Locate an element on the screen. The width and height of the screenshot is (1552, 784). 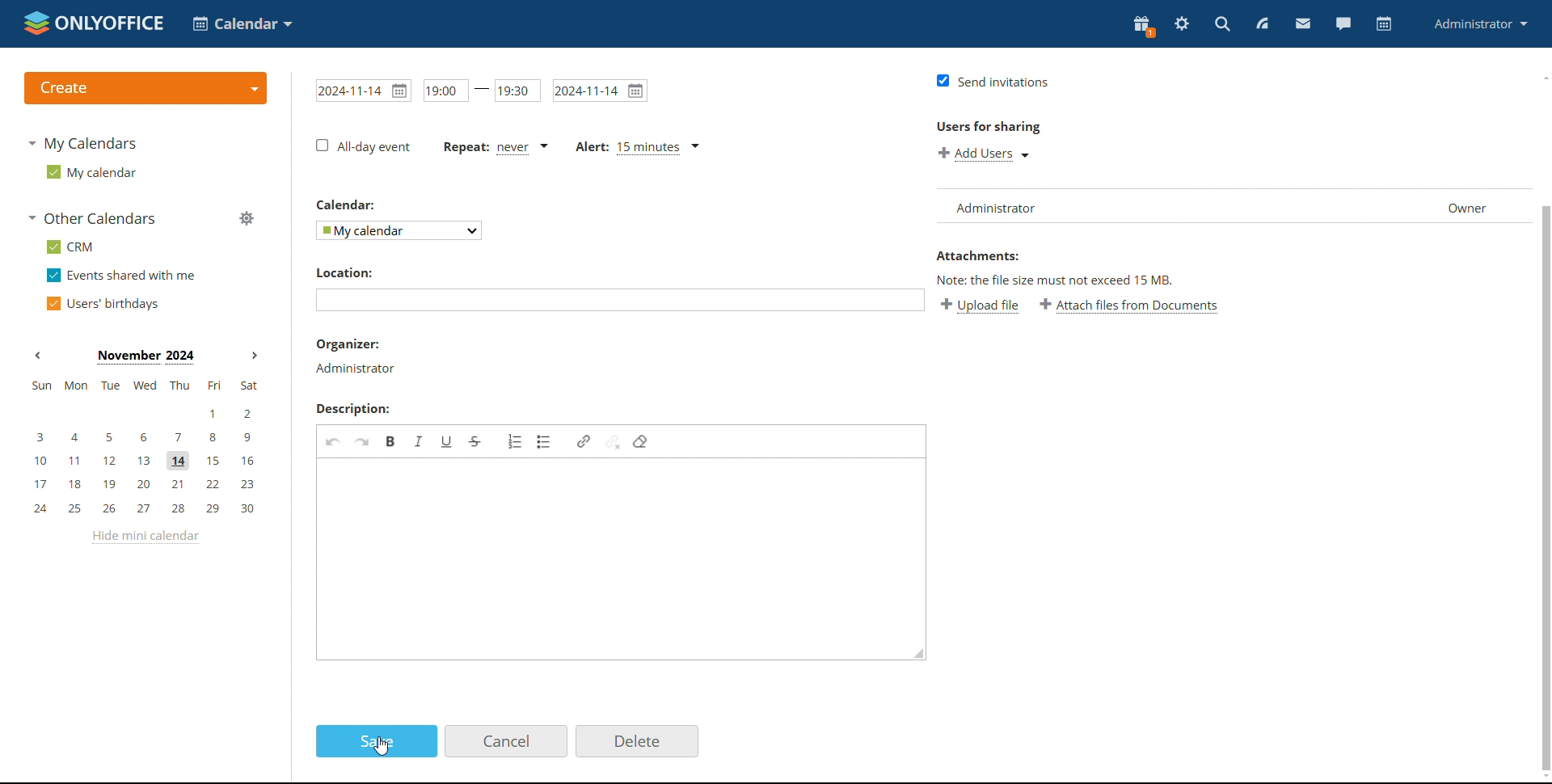
administrator is located at coordinates (354, 371).